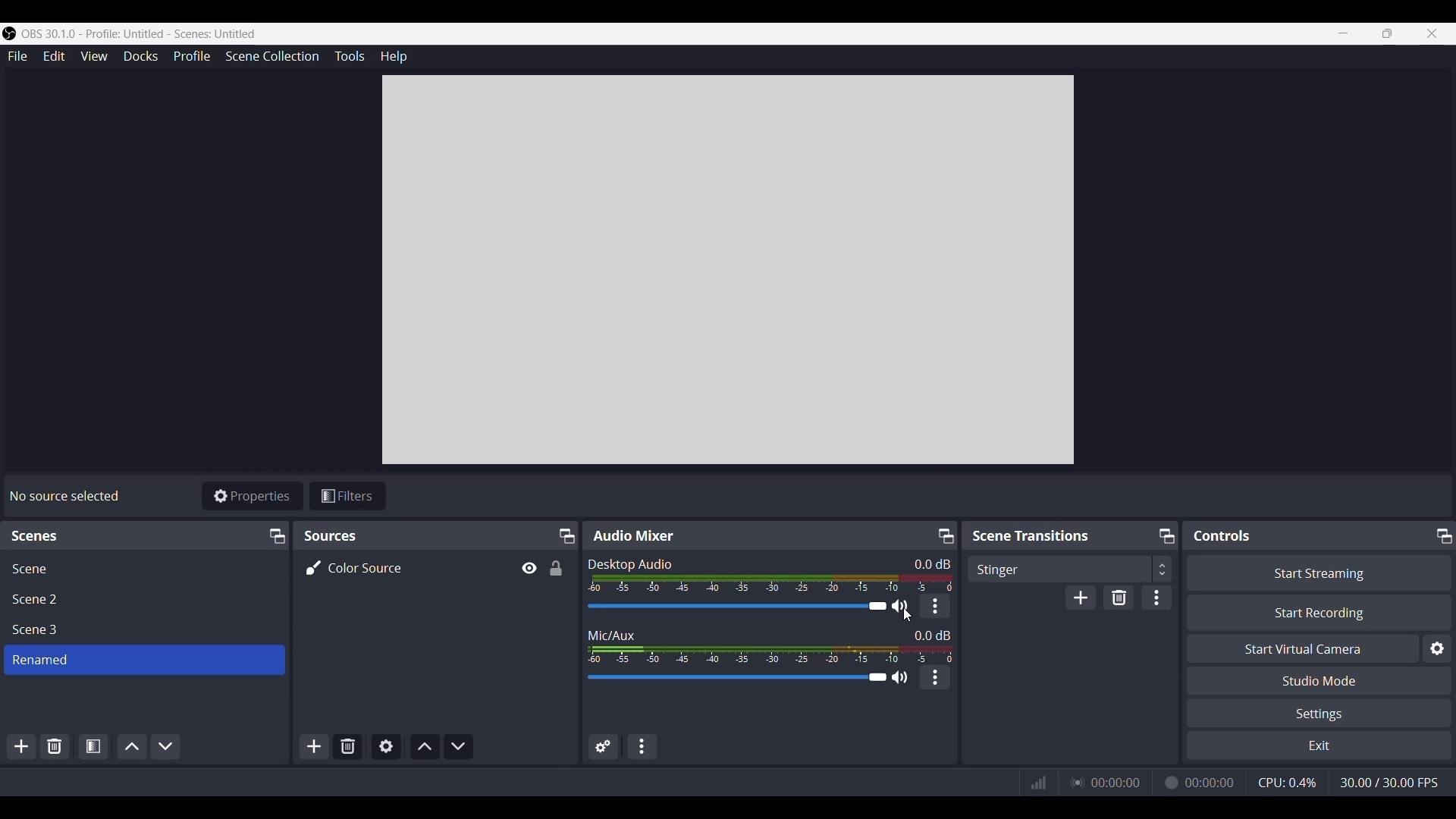 Image resolution: width=1456 pixels, height=819 pixels. What do you see at coordinates (934, 606) in the screenshot?
I see `Desktop audio properties` at bounding box center [934, 606].